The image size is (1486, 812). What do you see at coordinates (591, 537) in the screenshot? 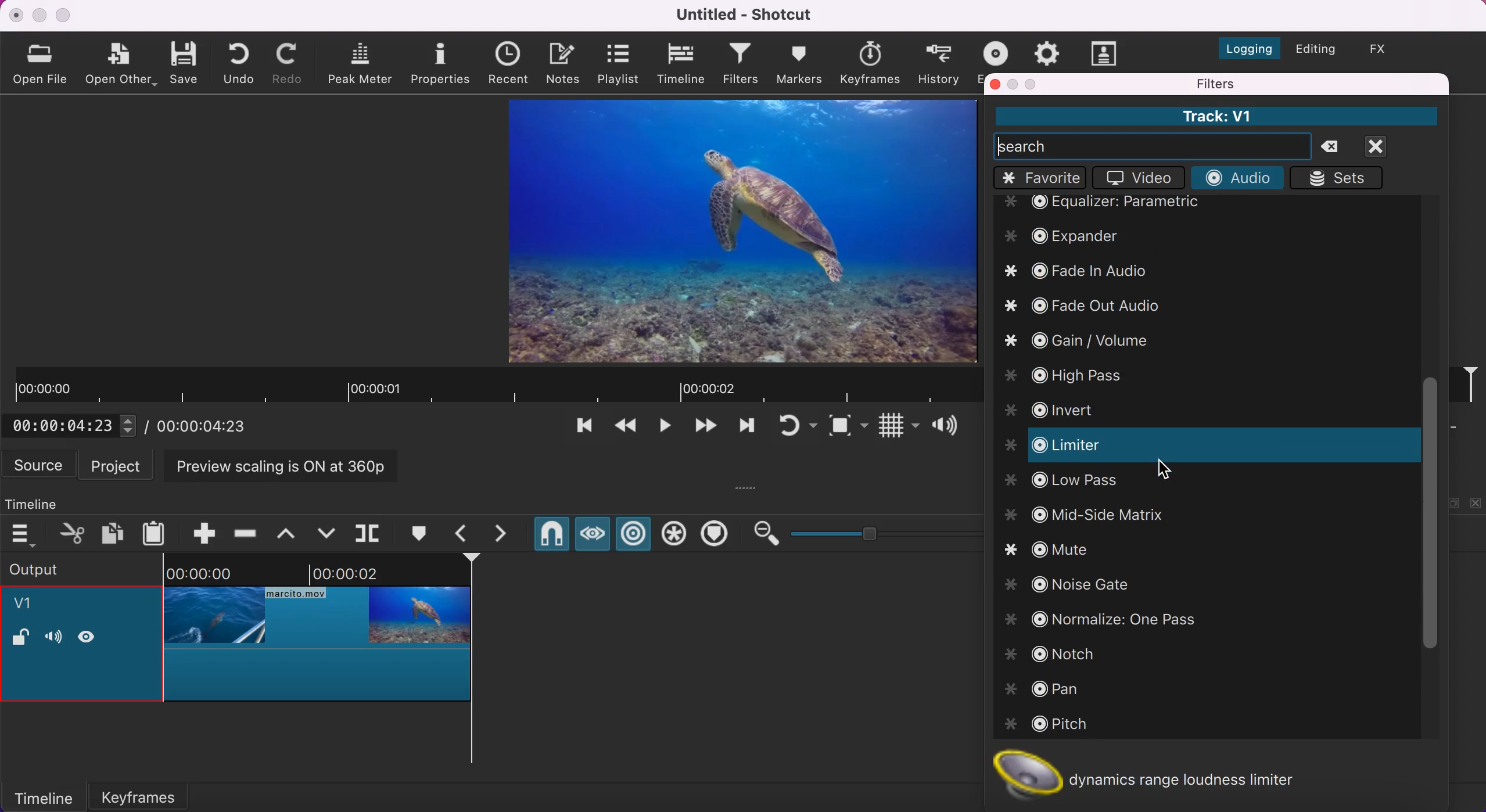
I see `scrub while draggins` at bounding box center [591, 537].